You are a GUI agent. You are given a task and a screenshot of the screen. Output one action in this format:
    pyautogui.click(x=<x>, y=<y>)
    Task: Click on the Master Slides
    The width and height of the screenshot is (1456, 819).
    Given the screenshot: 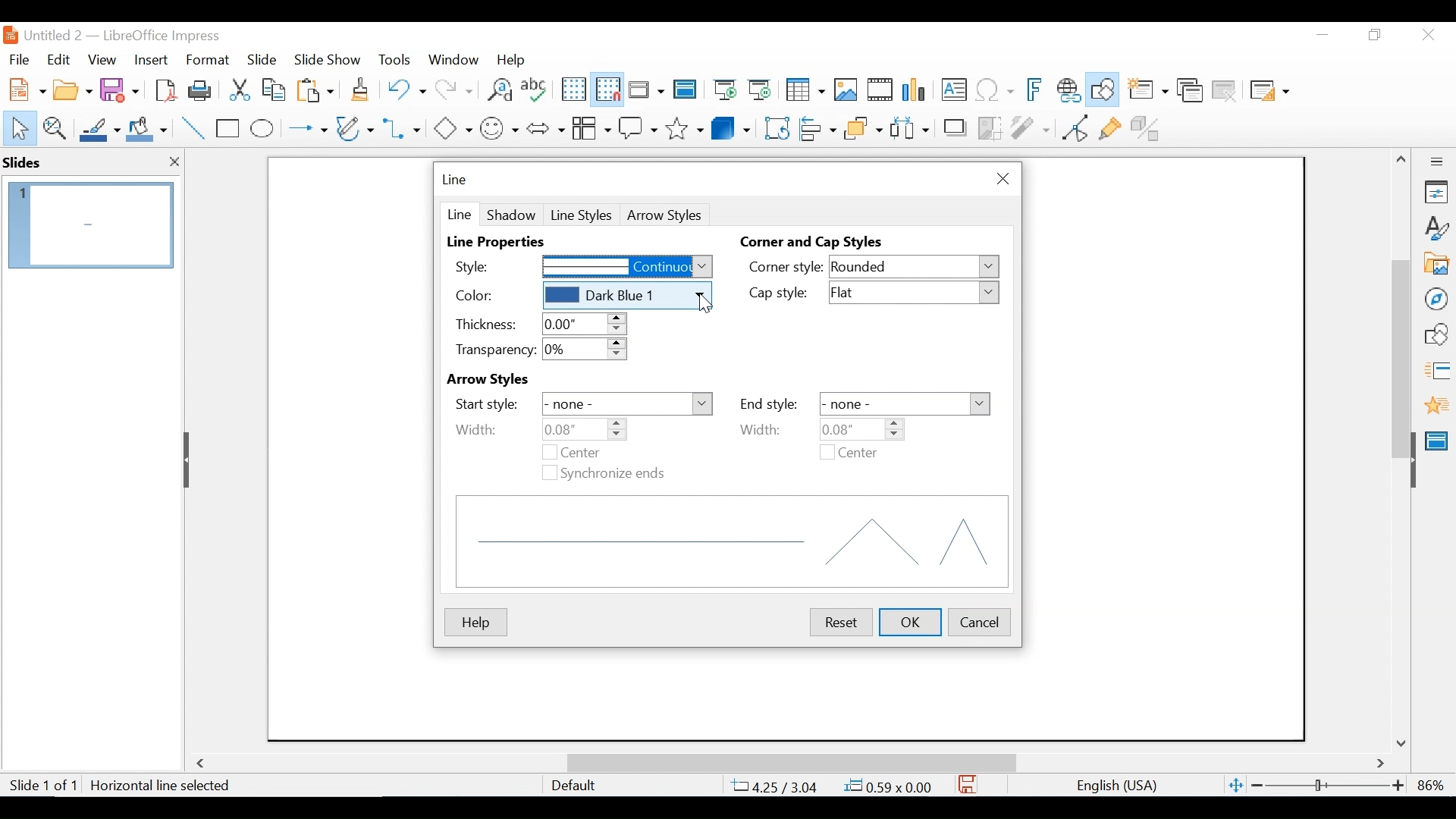 What is the action you would take?
    pyautogui.click(x=686, y=91)
    